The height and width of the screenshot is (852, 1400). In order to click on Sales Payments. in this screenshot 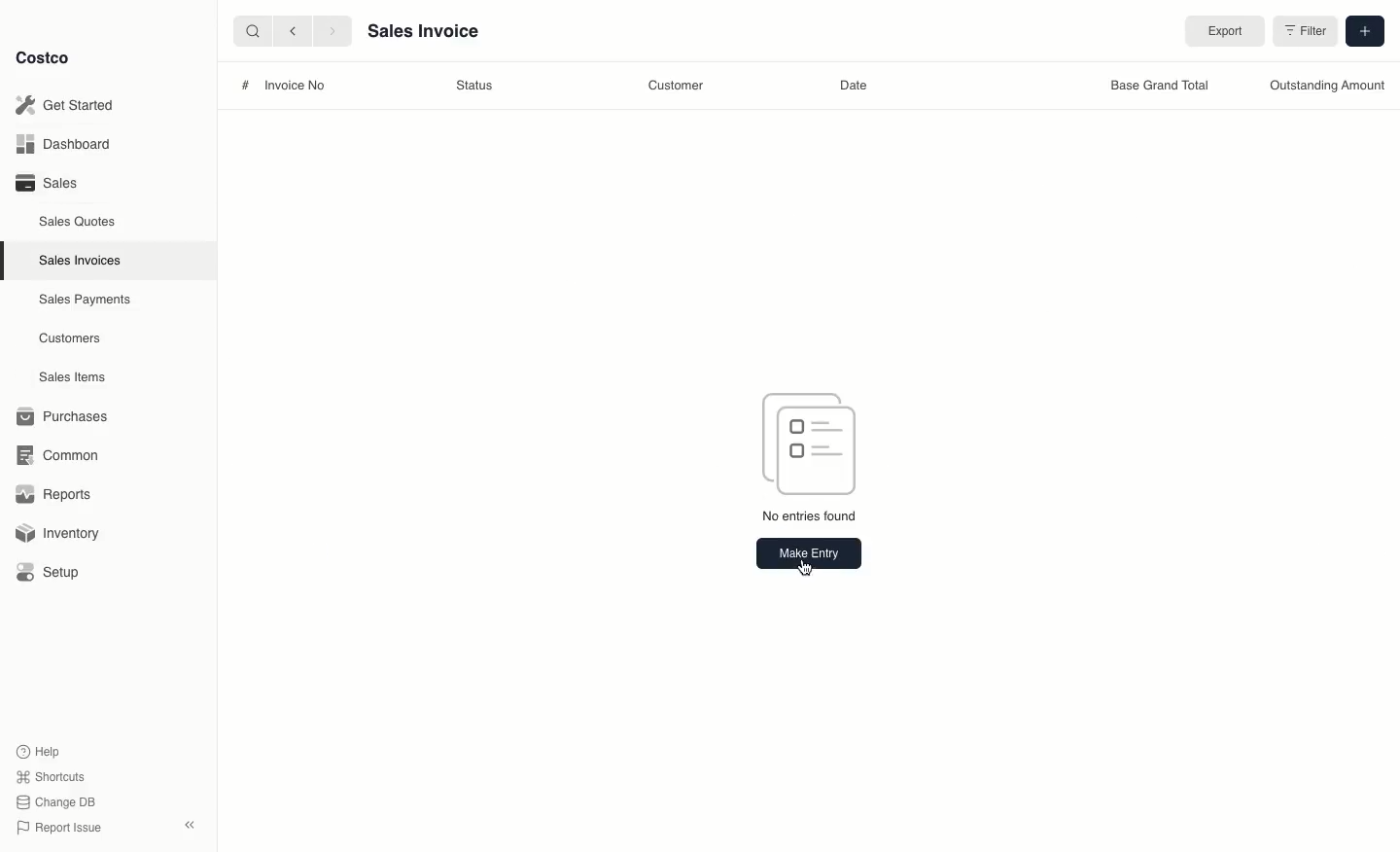, I will do `click(87, 302)`.